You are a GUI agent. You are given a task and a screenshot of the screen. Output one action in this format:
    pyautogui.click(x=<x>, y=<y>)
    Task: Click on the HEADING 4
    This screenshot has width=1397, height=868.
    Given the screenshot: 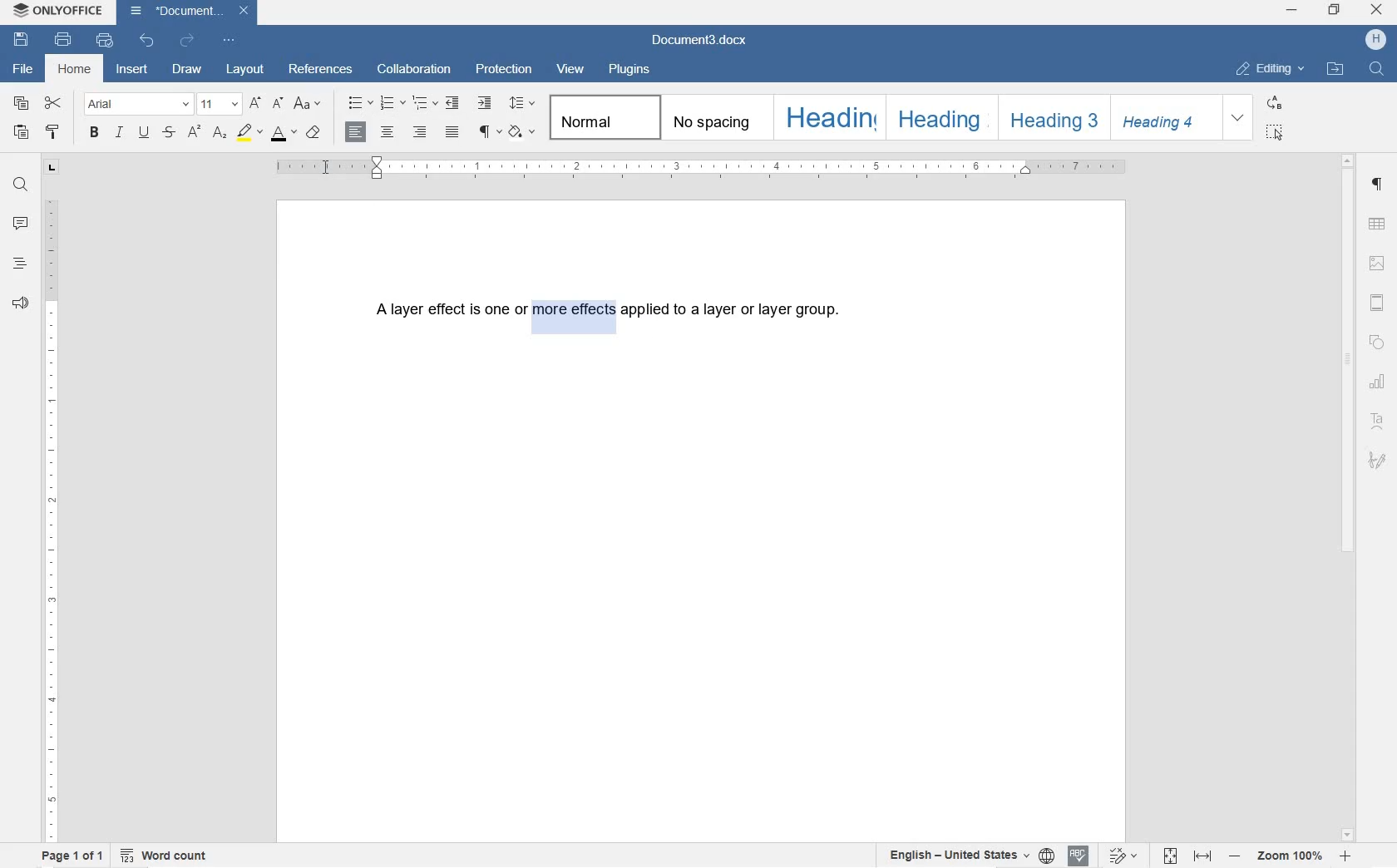 What is the action you would take?
    pyautogui.click(x=1165, y=118)
    